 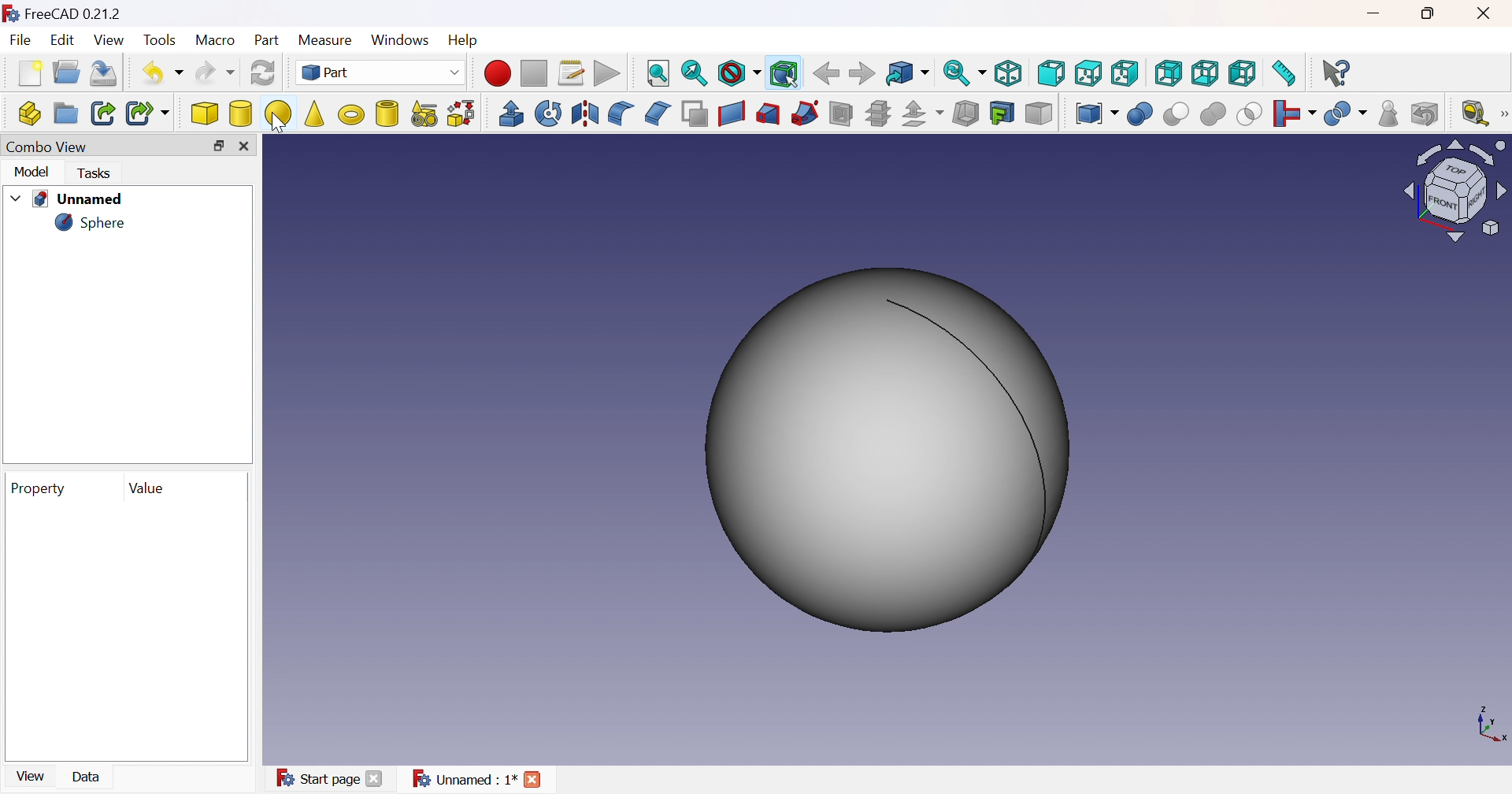 I want to click on Measure distance, so click(x=1286, y=74).